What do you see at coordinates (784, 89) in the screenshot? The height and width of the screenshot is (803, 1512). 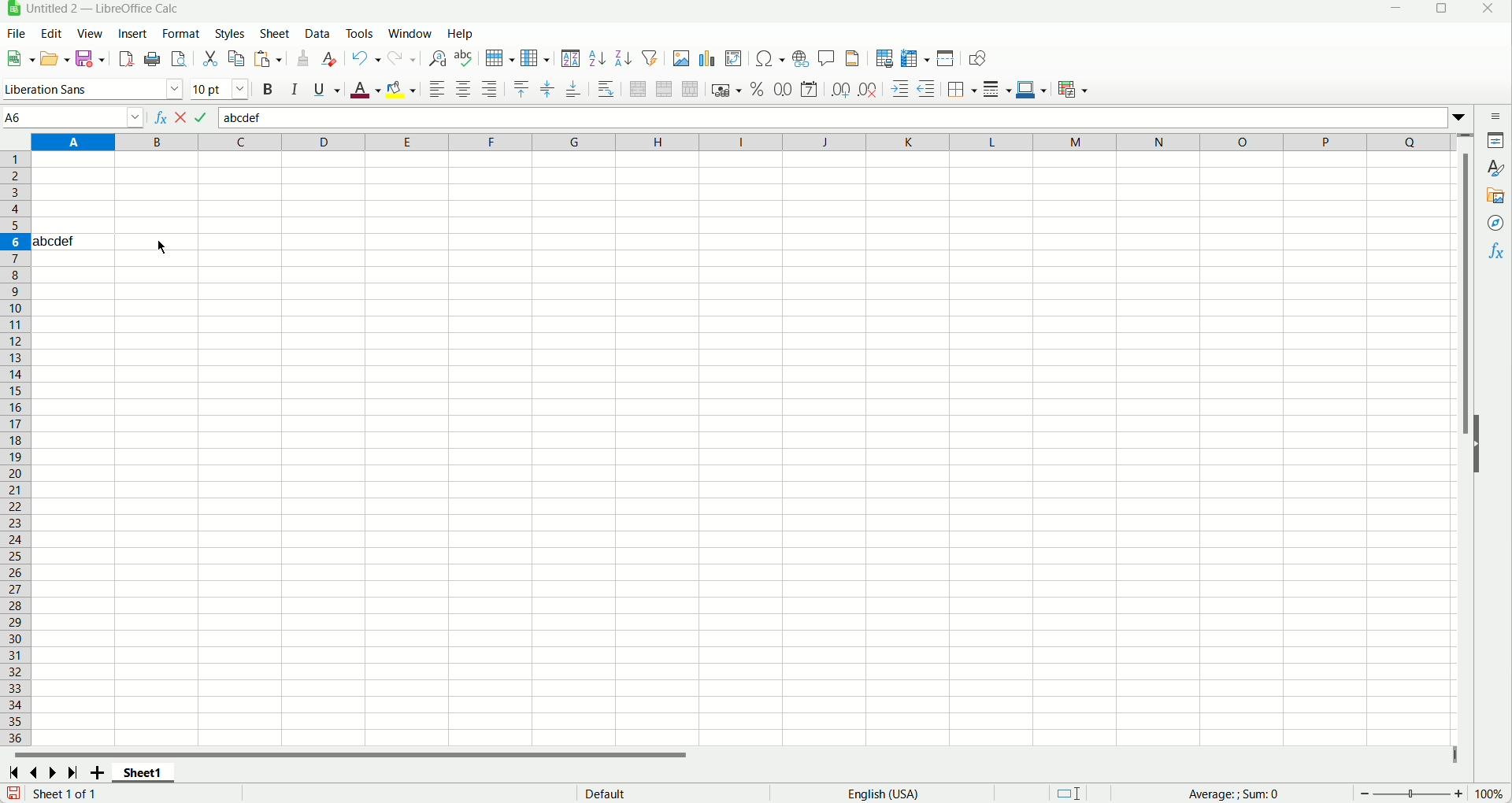 I see `format as number` at bounding box center [784, 89].